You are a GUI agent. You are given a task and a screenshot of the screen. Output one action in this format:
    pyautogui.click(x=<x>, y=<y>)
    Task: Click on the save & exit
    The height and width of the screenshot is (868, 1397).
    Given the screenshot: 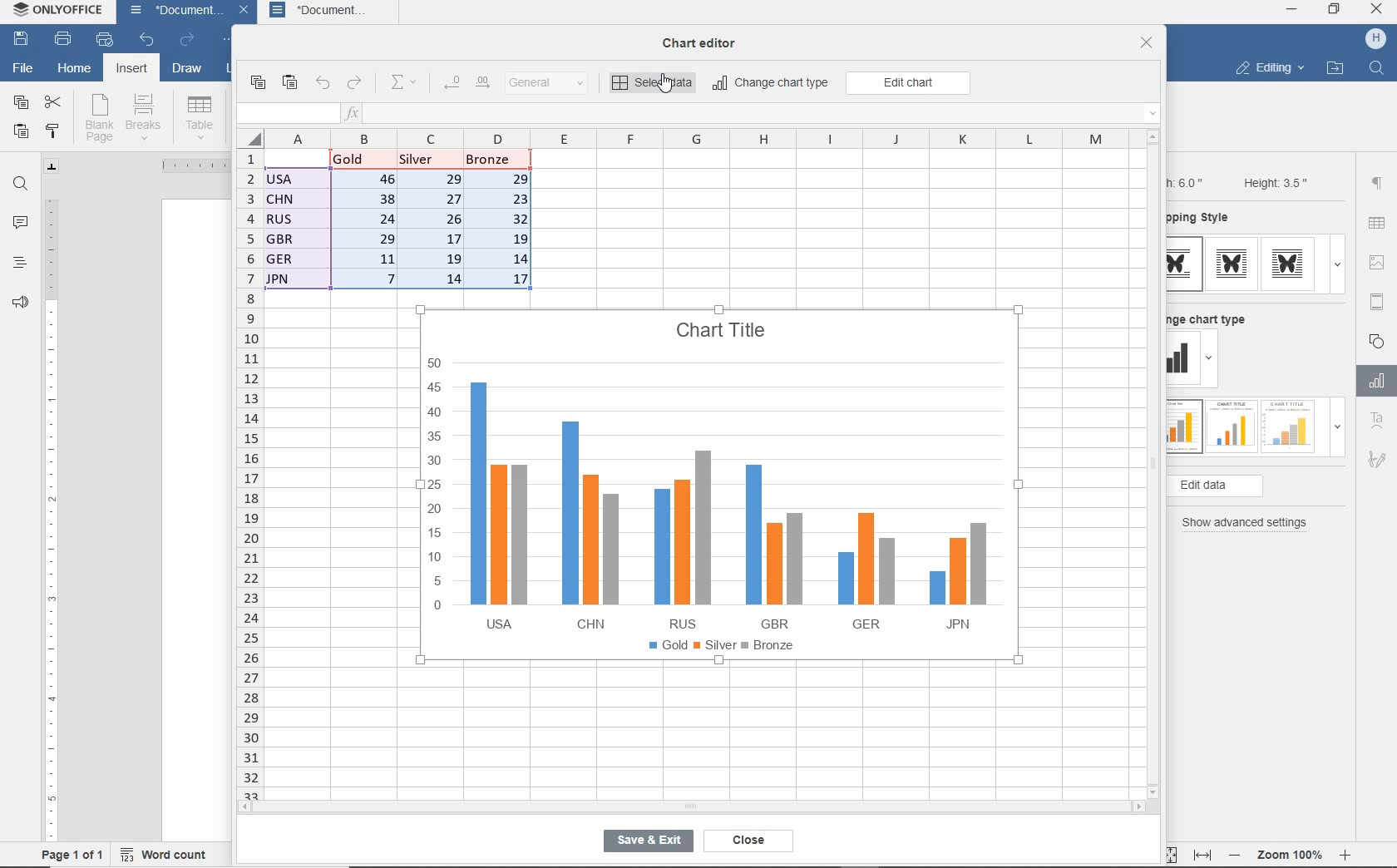 What is the action you would take?
    pyautogui.click(x=648, y=842)
    